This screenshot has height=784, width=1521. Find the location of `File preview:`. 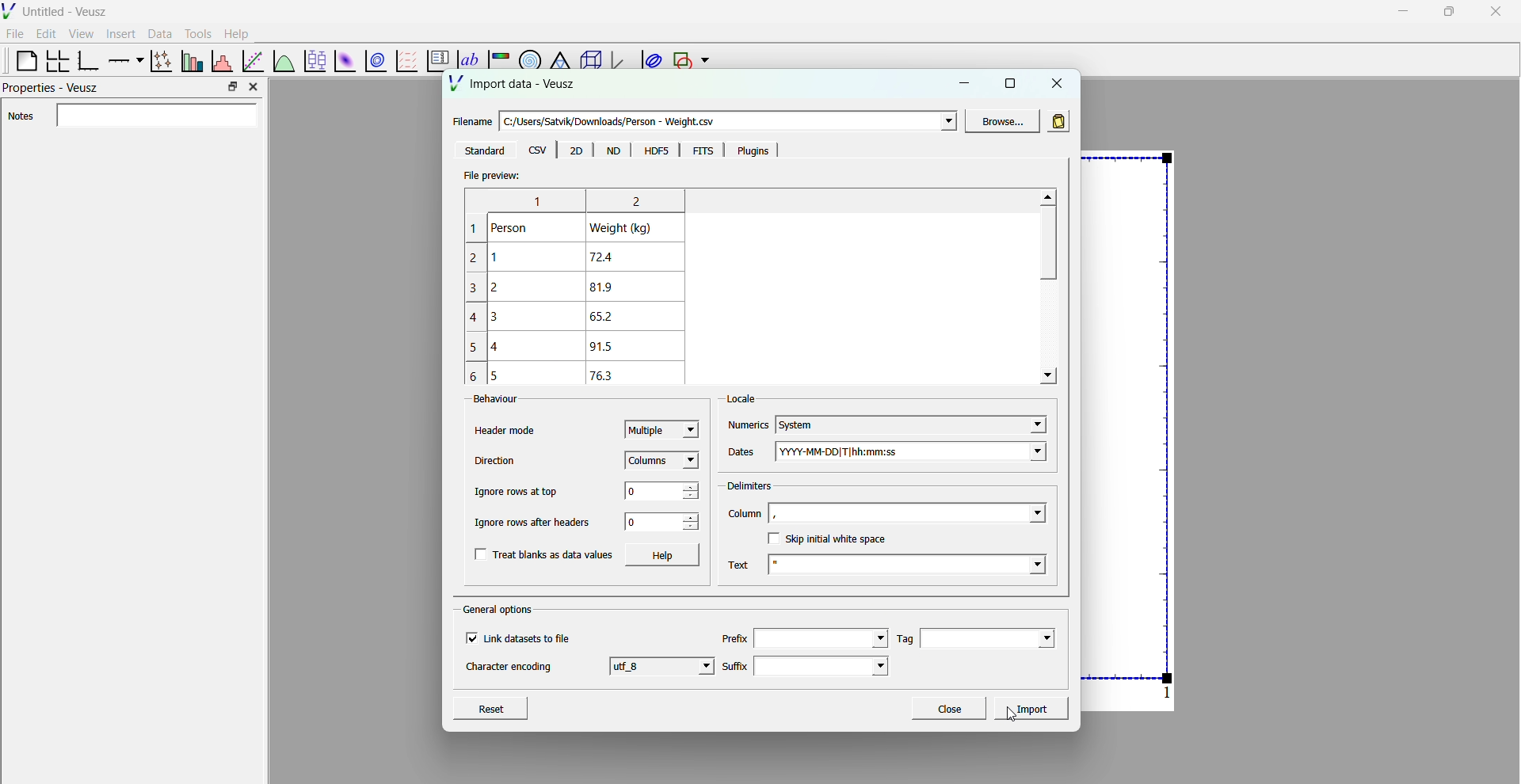

File preview: is located at coordinates (491, 176).